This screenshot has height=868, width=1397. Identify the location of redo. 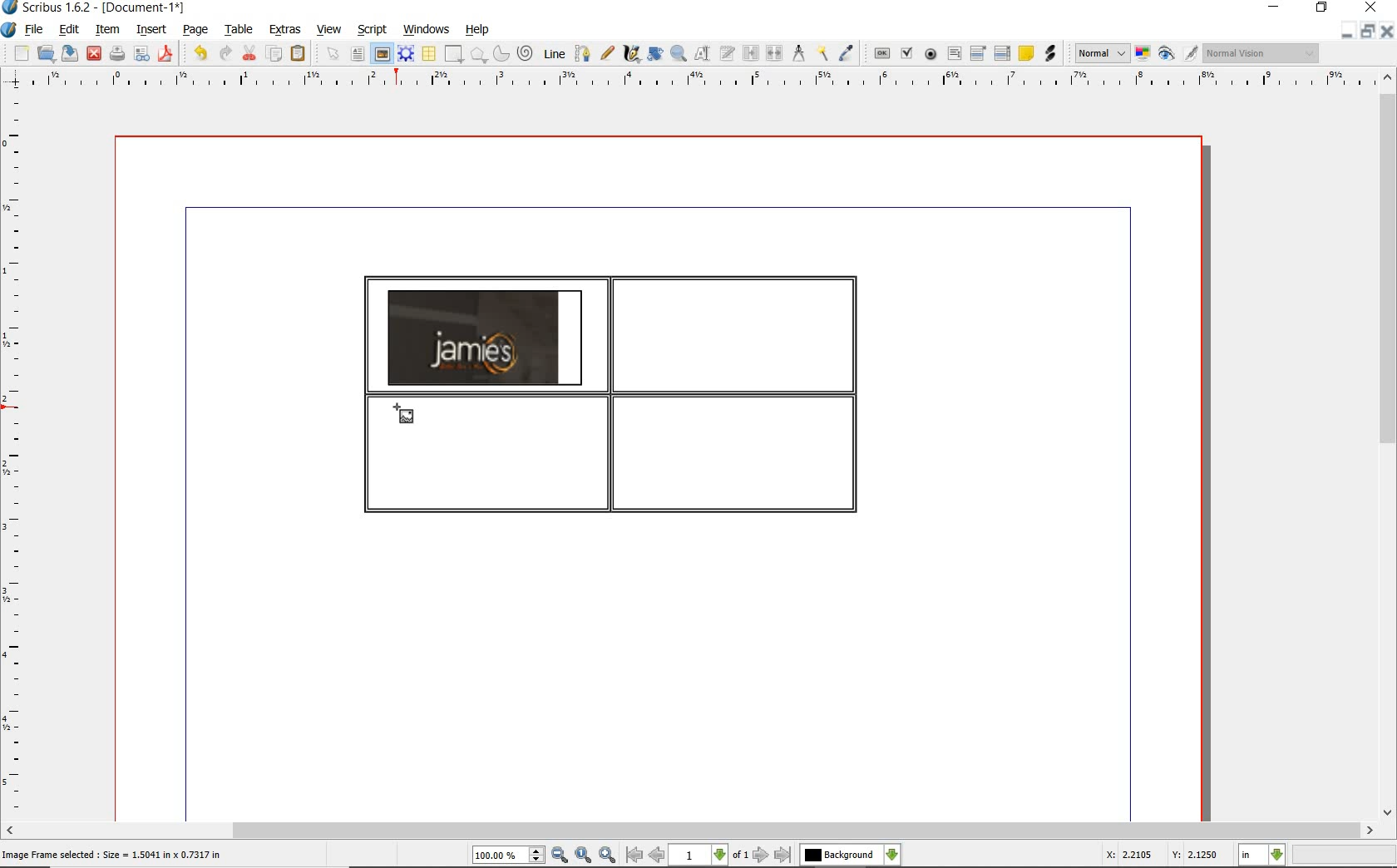
(225, 52).